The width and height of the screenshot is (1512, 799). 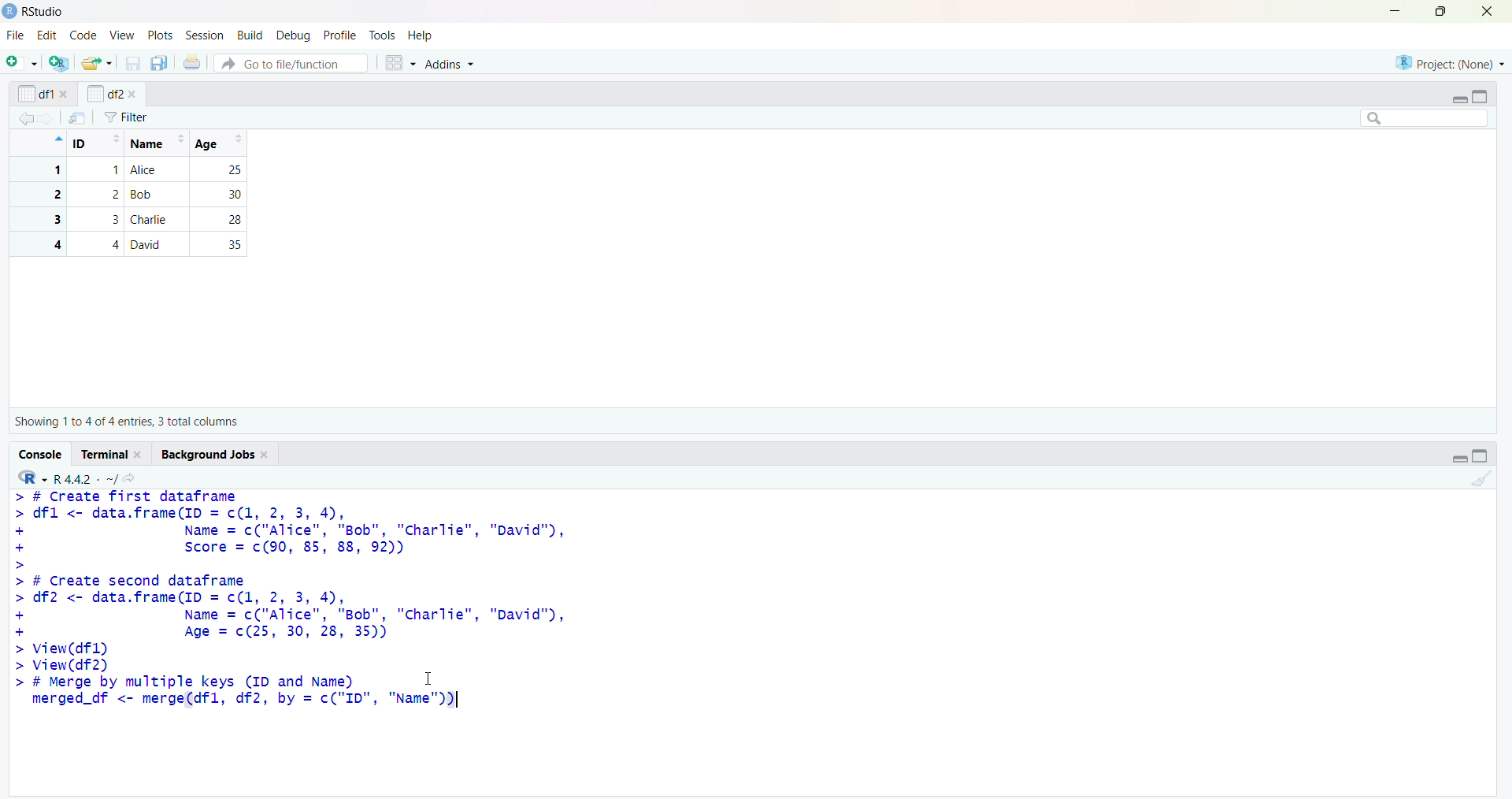 I want to click on print, so click(x=193, y=61).